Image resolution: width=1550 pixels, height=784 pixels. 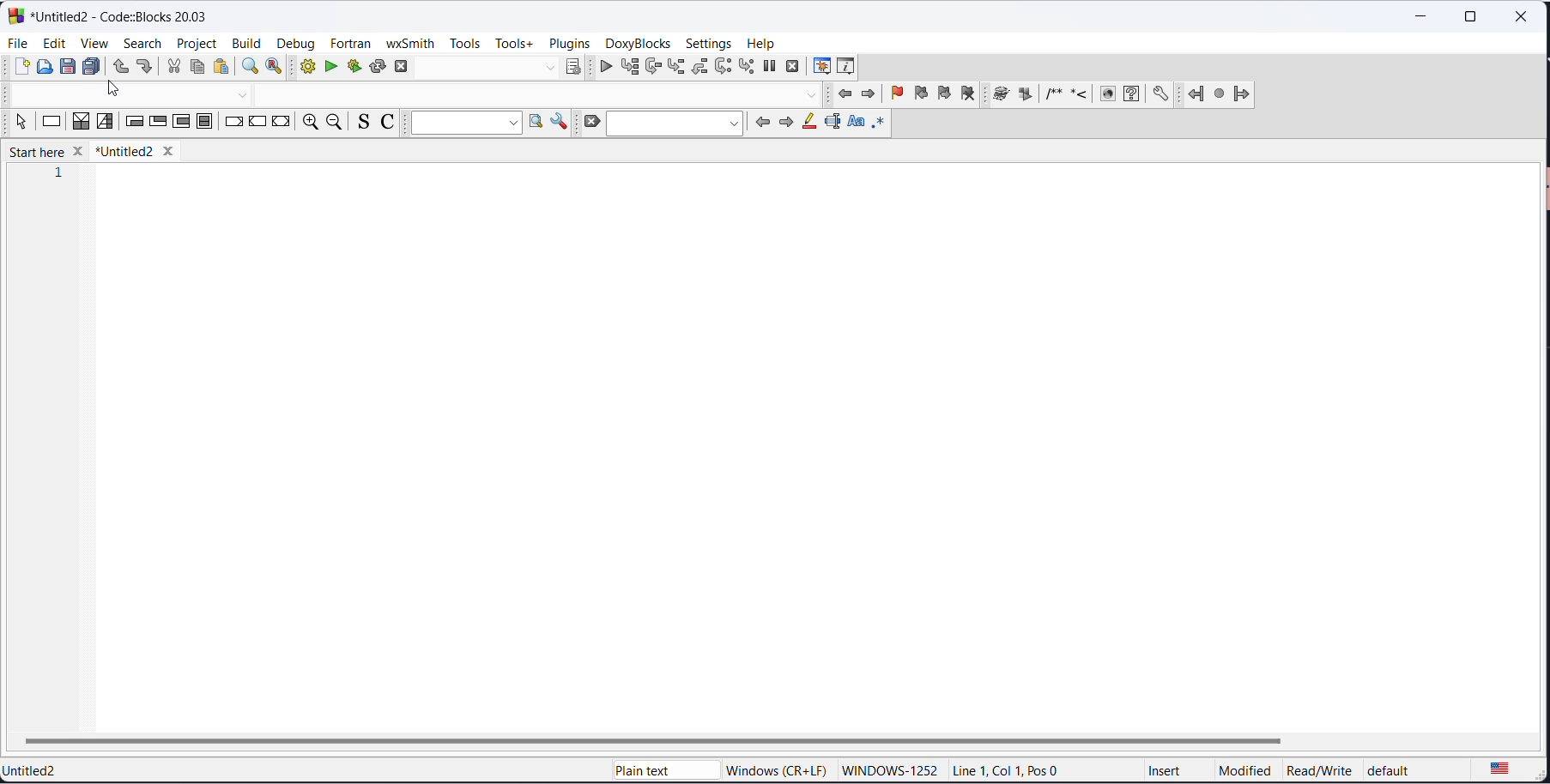 What do you see at coordinates (918, 95) in the screenshot?
I see `previous bookmark` at bounding box center [918, 95].